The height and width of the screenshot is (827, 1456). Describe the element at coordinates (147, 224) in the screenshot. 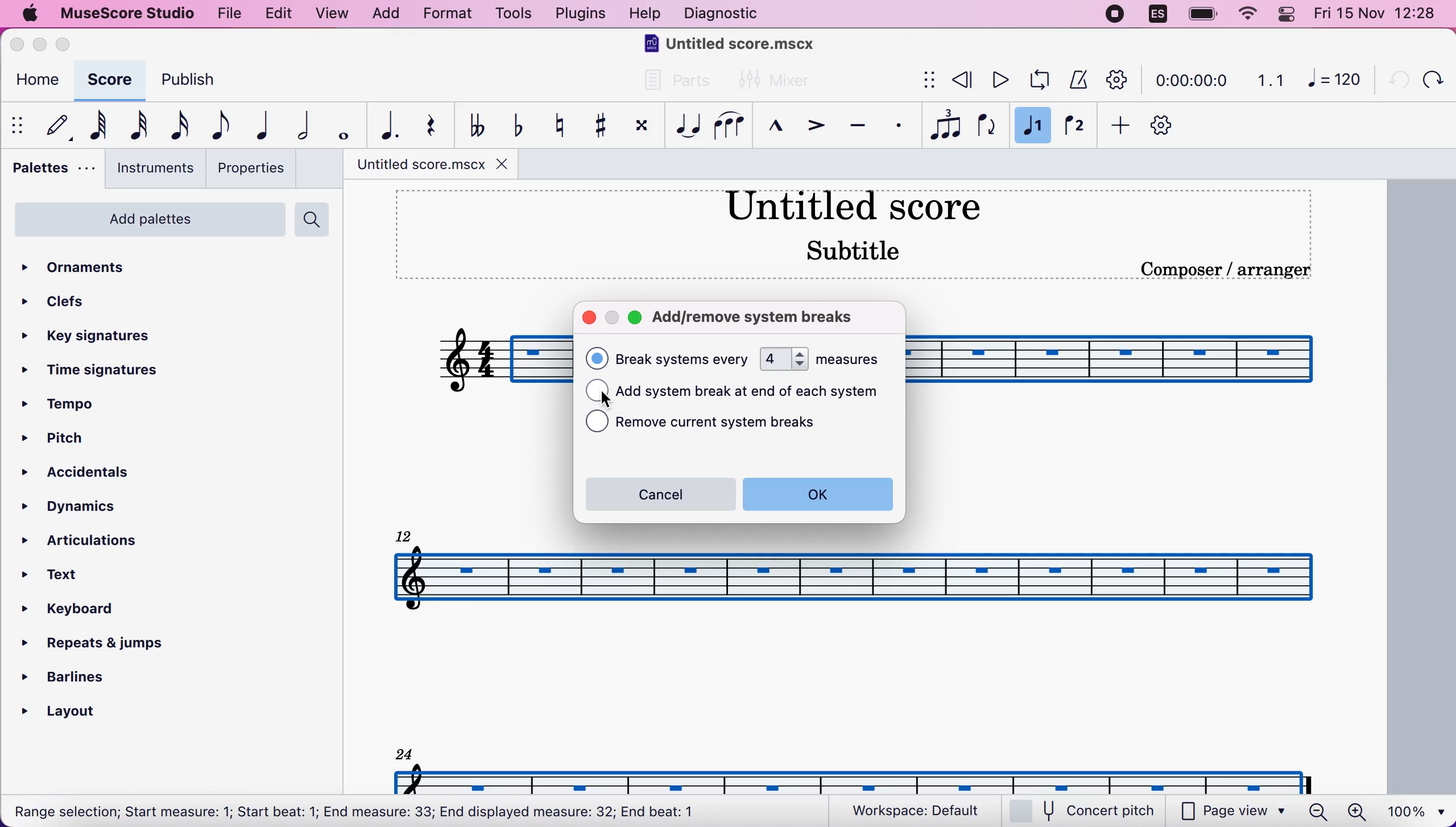

I see `add palettes` at that location.